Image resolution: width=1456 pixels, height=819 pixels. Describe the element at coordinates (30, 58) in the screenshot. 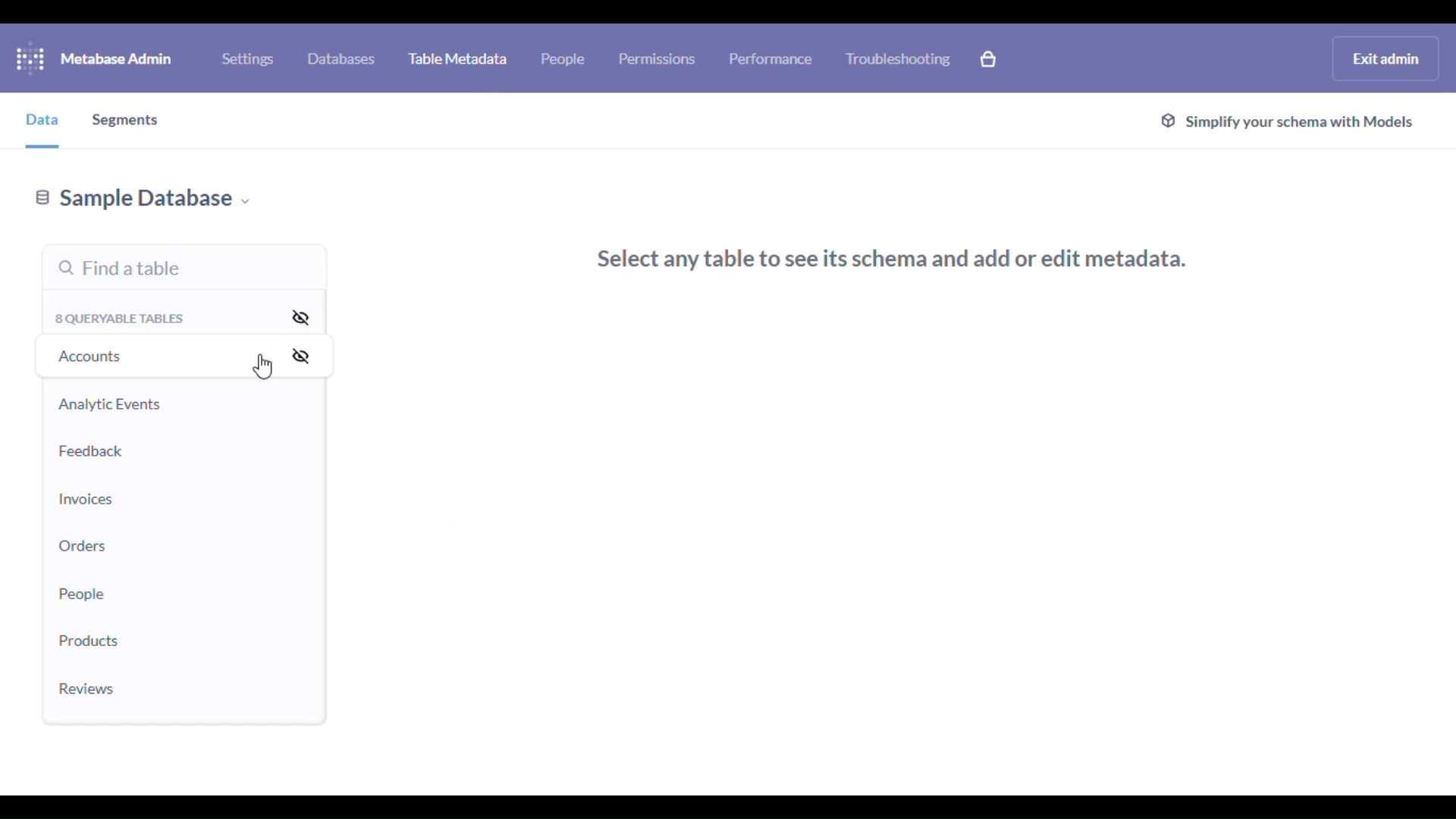

I see `logo` at that location.